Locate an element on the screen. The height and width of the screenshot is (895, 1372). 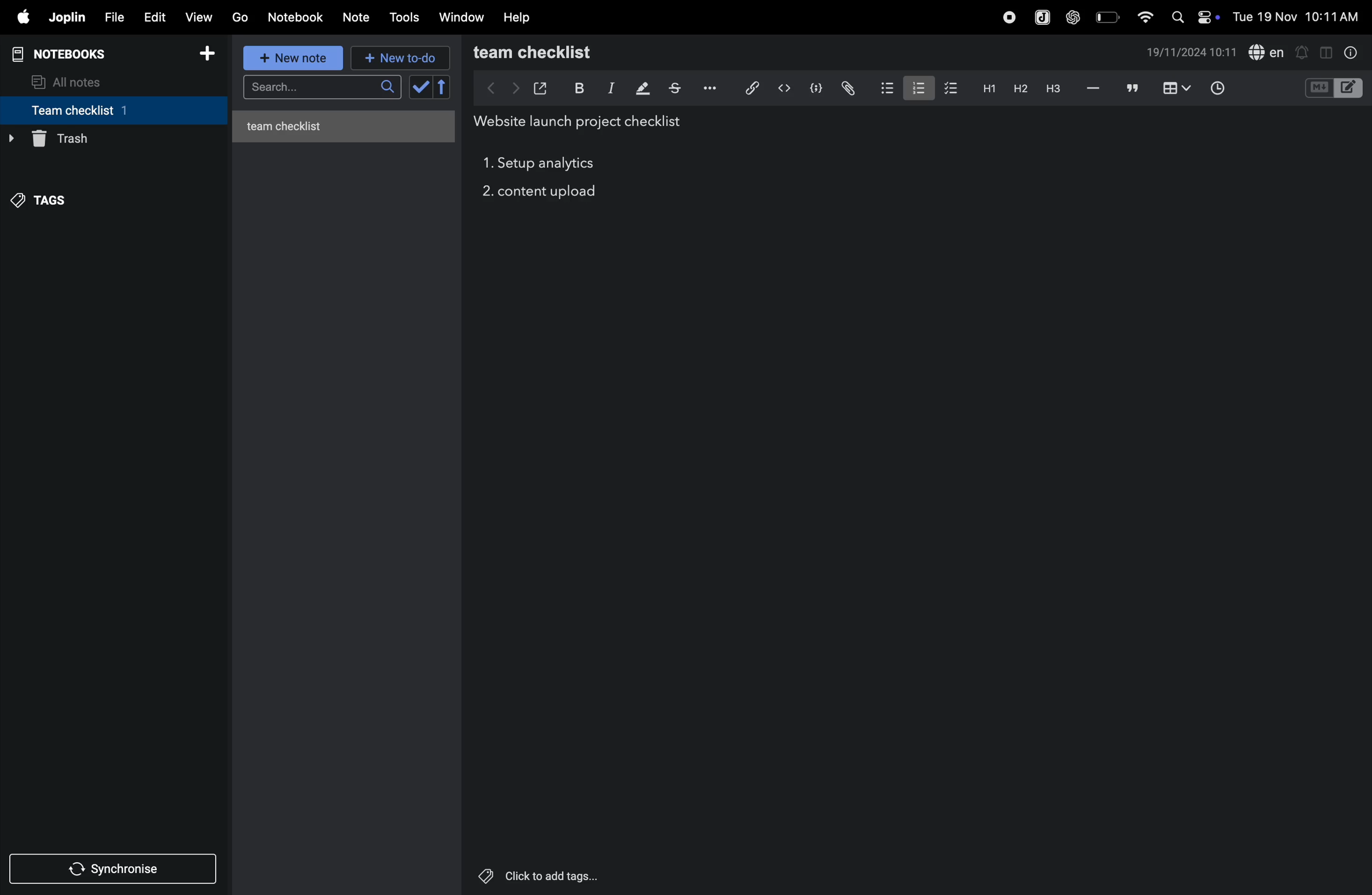
note is located at coordinates (361, 16).